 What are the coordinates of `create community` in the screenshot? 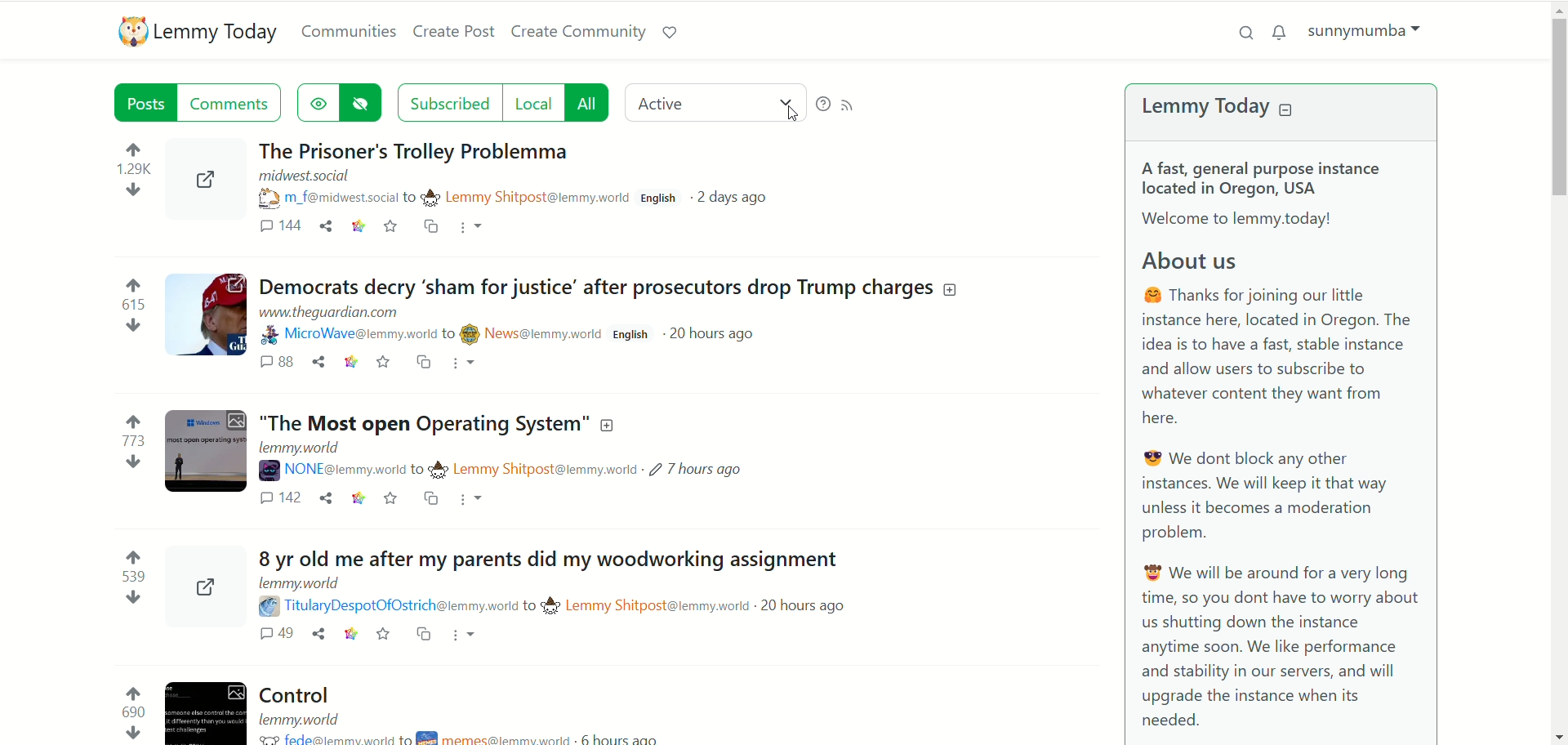 It's located at (579, 29).